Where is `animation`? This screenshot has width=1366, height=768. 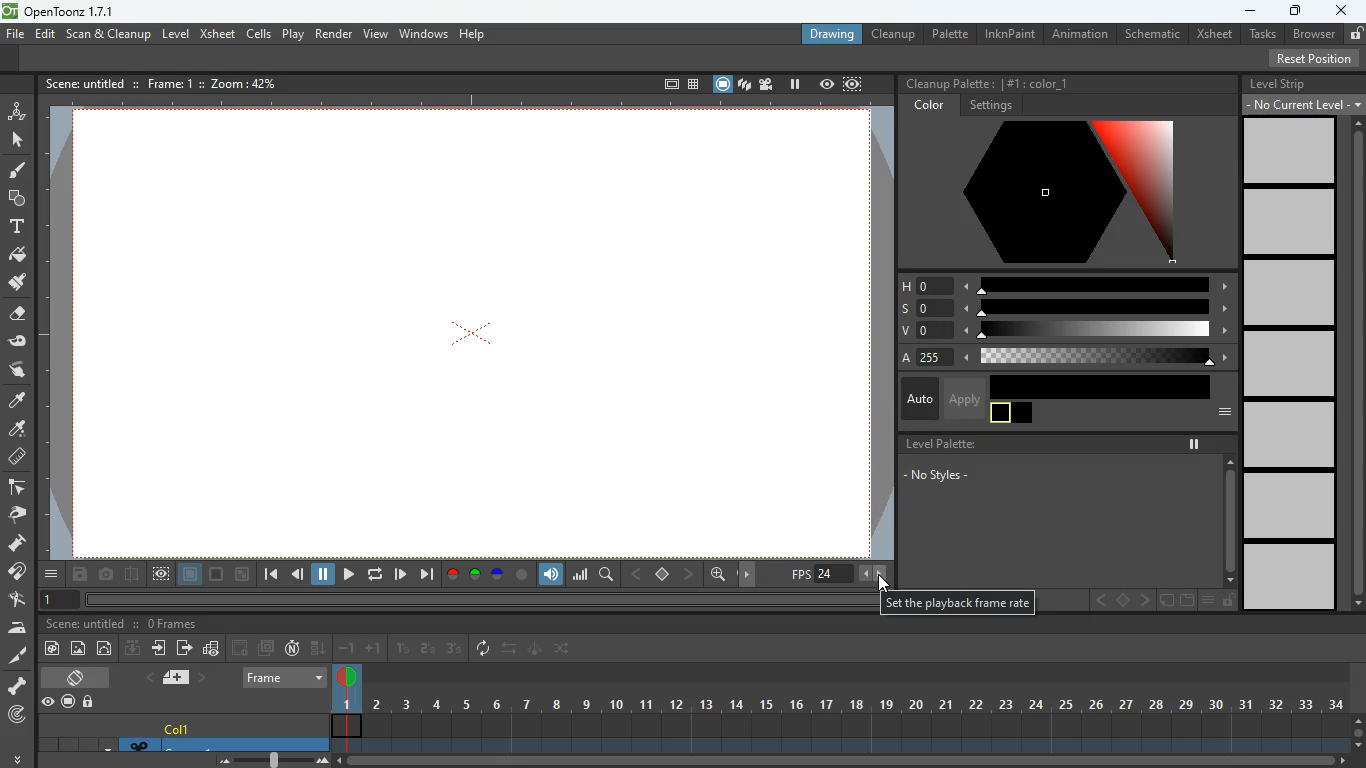 animation is located at coordinates (1083, 34).